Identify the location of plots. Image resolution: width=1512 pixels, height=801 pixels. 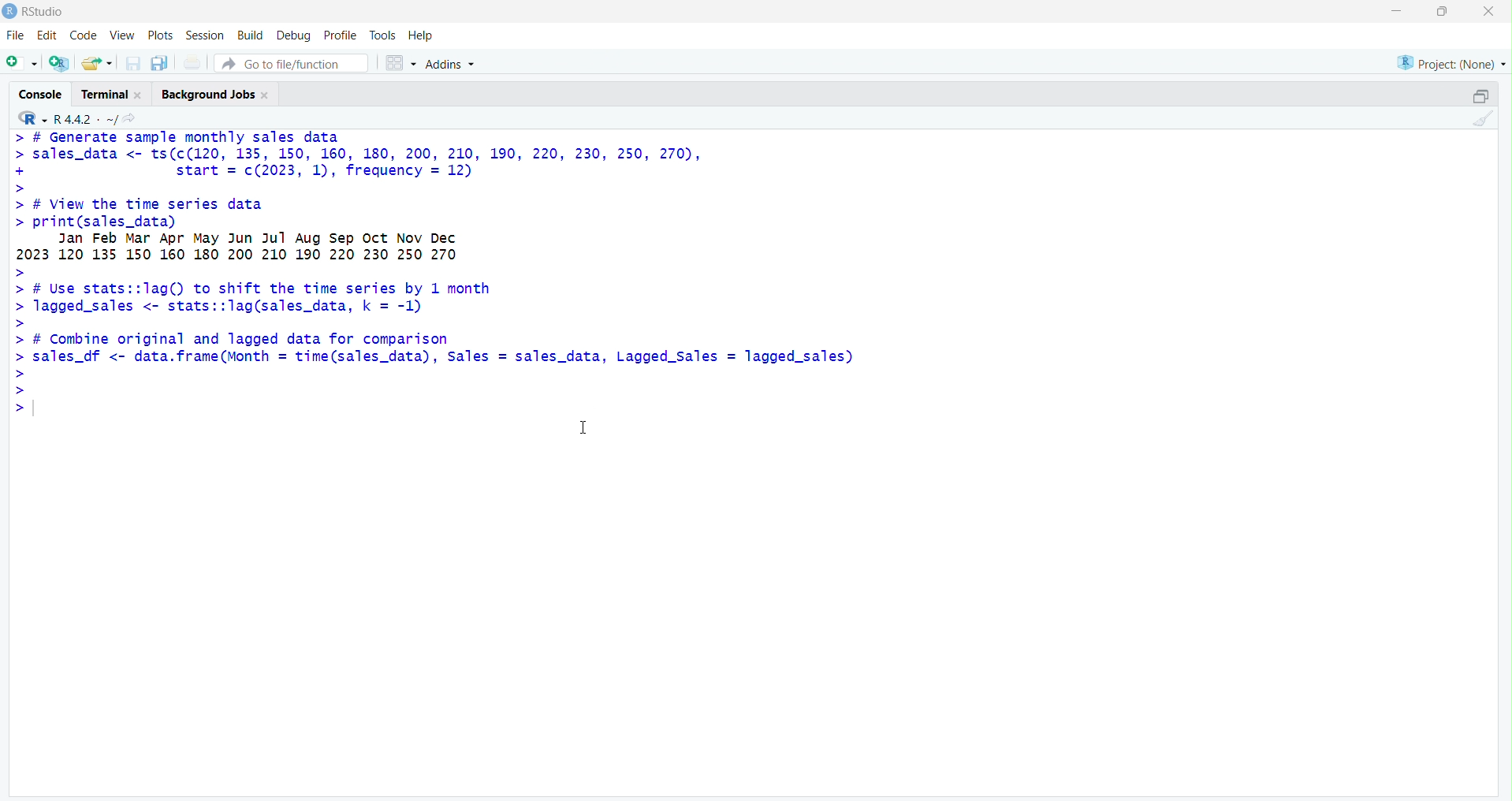
(162, 35).